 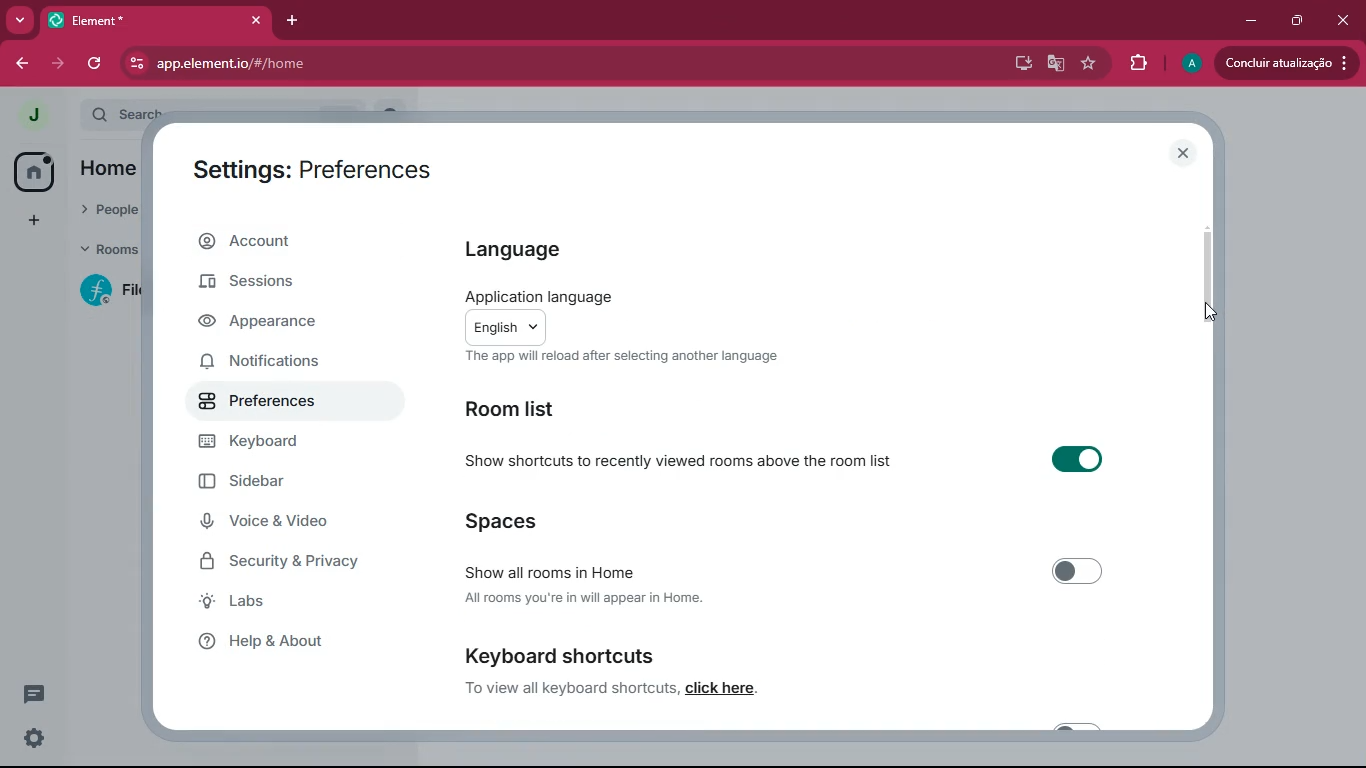 I want to click on English, so click(x=505, y=326).